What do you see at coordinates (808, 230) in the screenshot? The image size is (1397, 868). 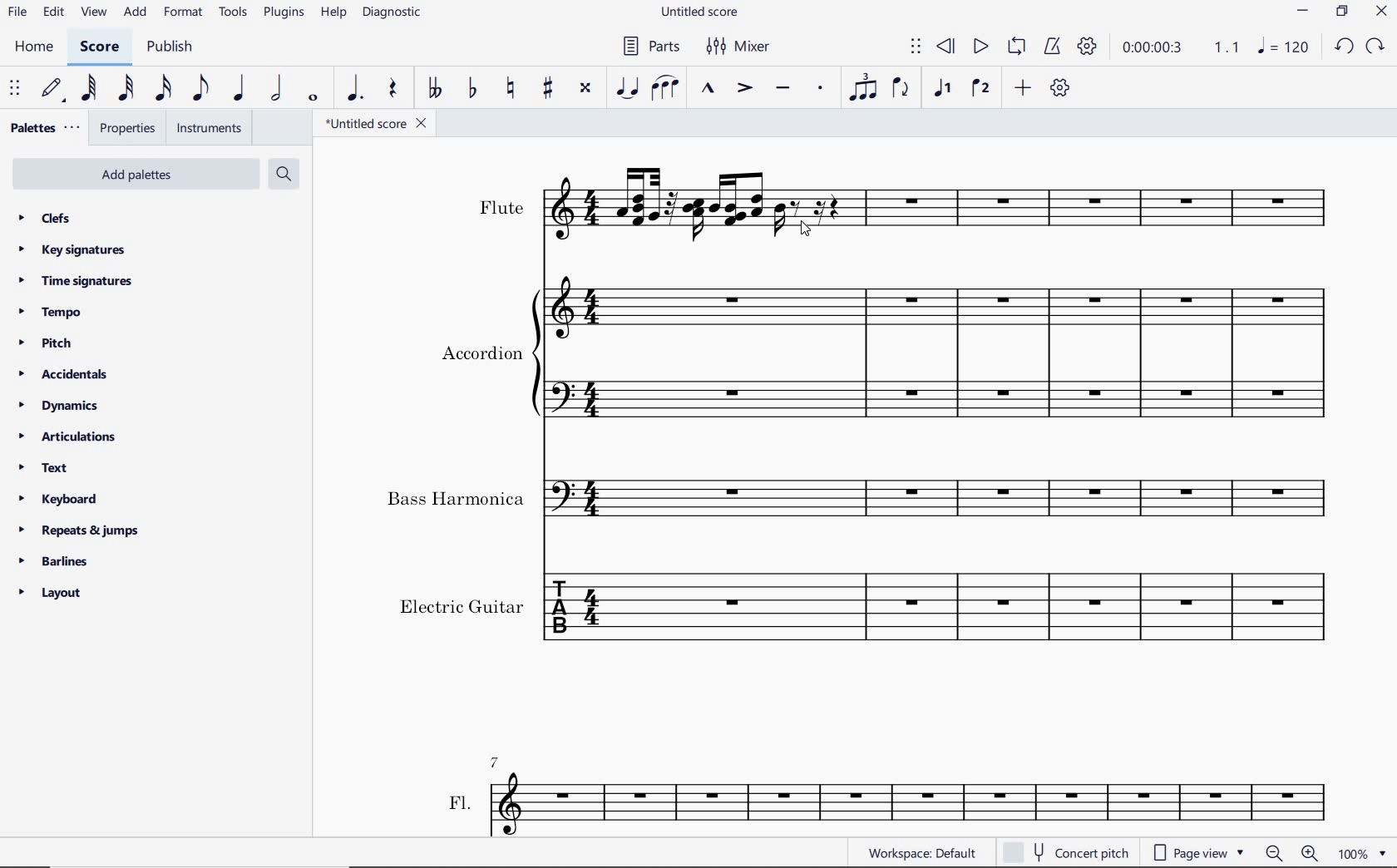 I see `cursor` at bounding box center [808, 230].